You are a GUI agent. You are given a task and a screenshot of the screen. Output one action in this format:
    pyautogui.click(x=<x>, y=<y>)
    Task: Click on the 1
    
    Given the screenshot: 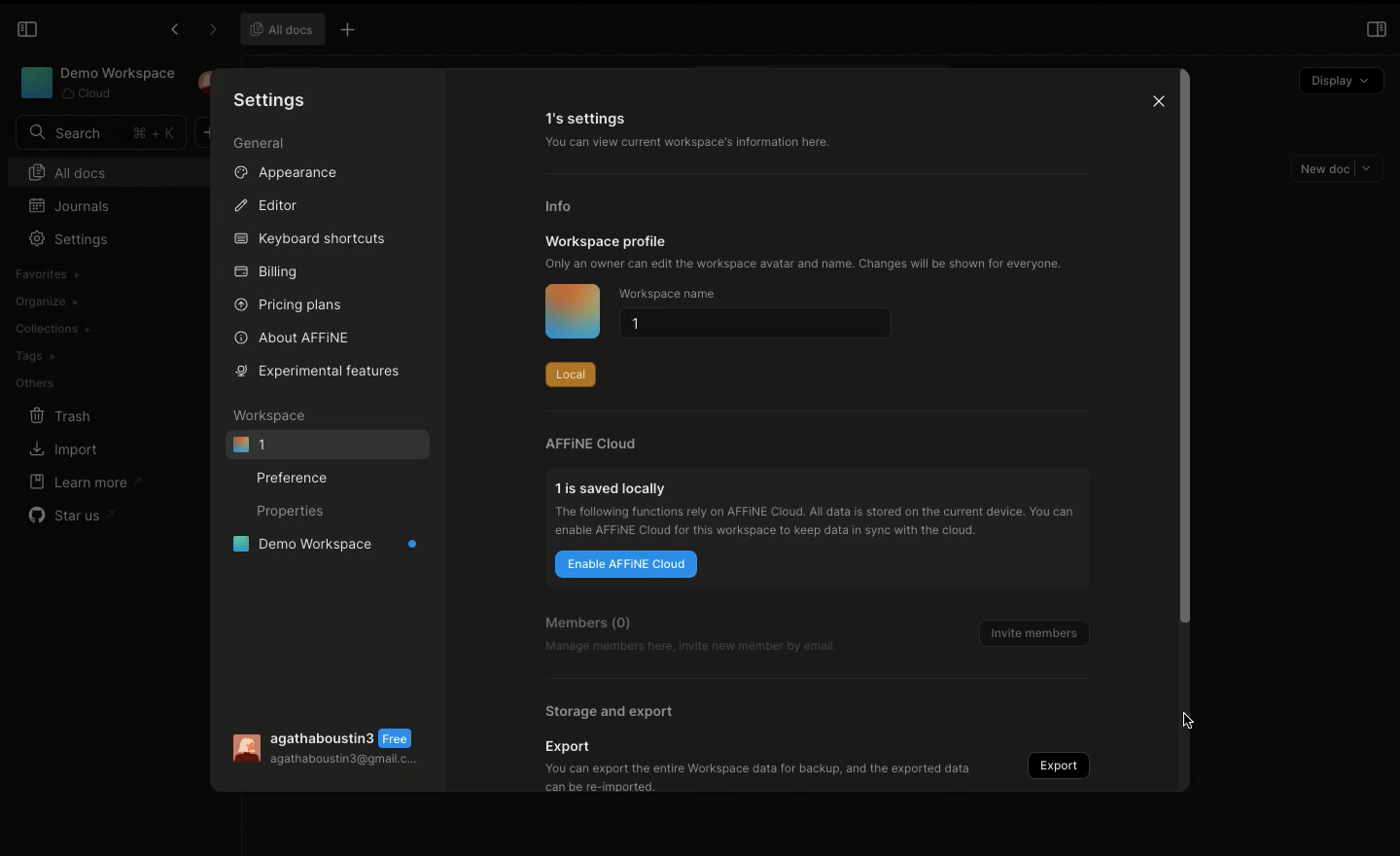 What is the action you would take?
    pyautogui.click(x=757, y=325)
    